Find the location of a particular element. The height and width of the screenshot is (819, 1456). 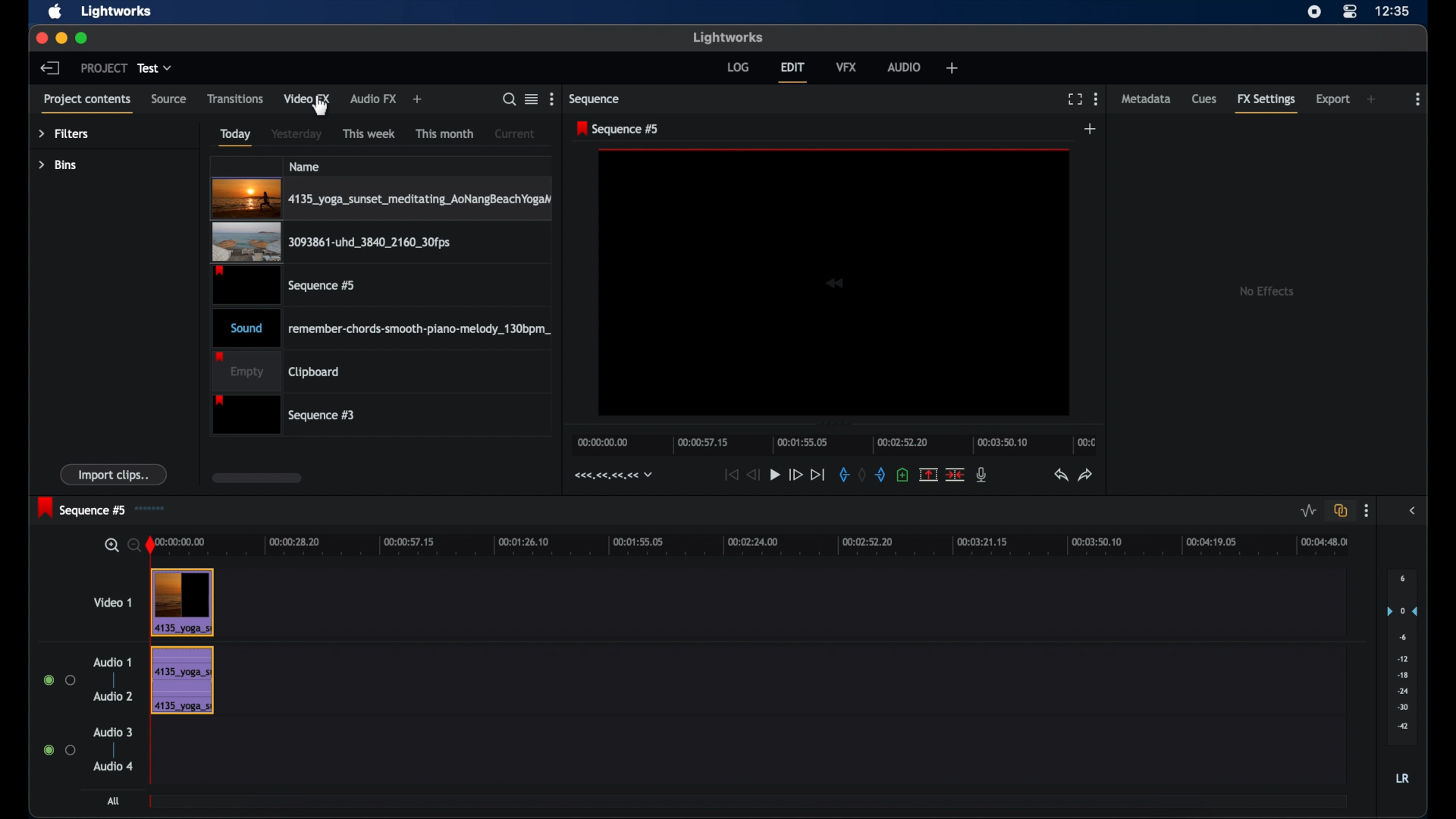

timecodes is located at coordinates (611, 475).